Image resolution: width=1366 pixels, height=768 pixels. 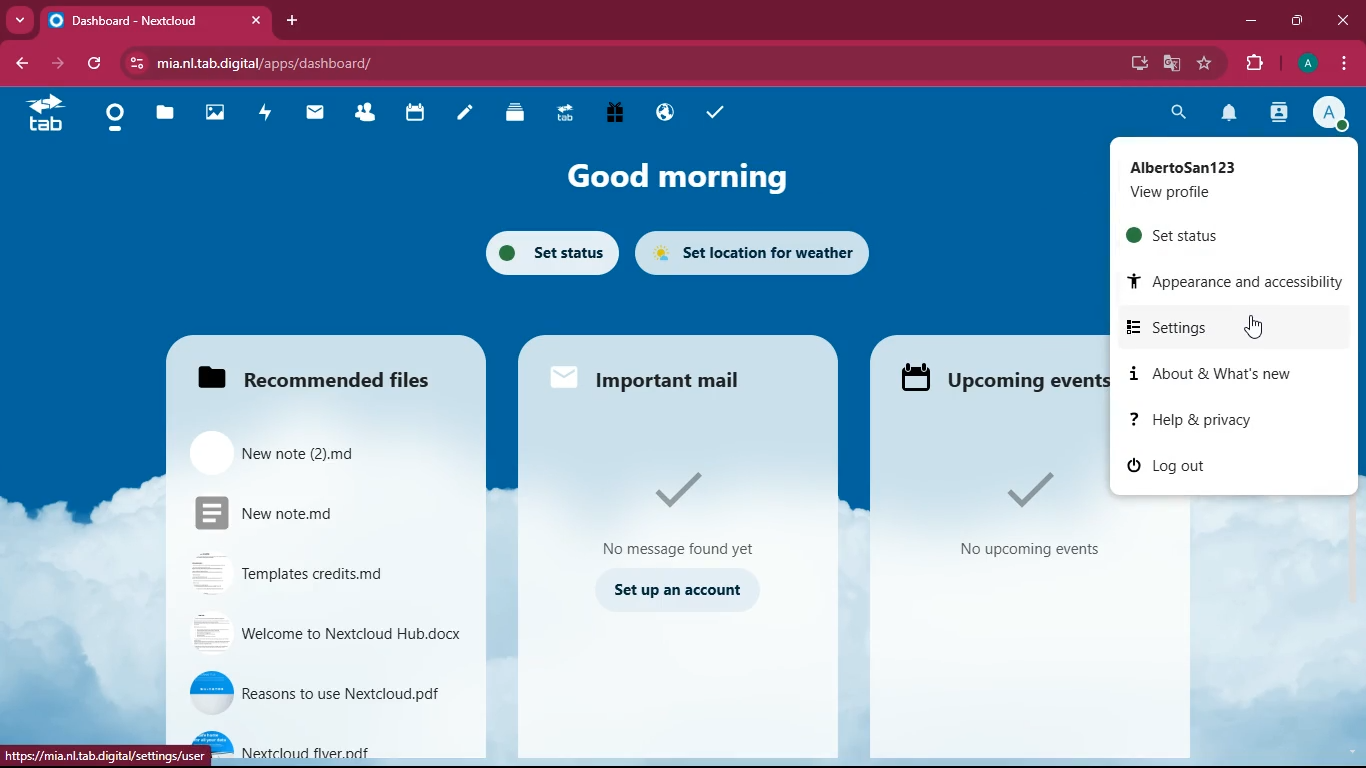 What do you see at coordinates (752, 252) in the screenshot?
I see `set location for weather` at bounding box center [752, 252].